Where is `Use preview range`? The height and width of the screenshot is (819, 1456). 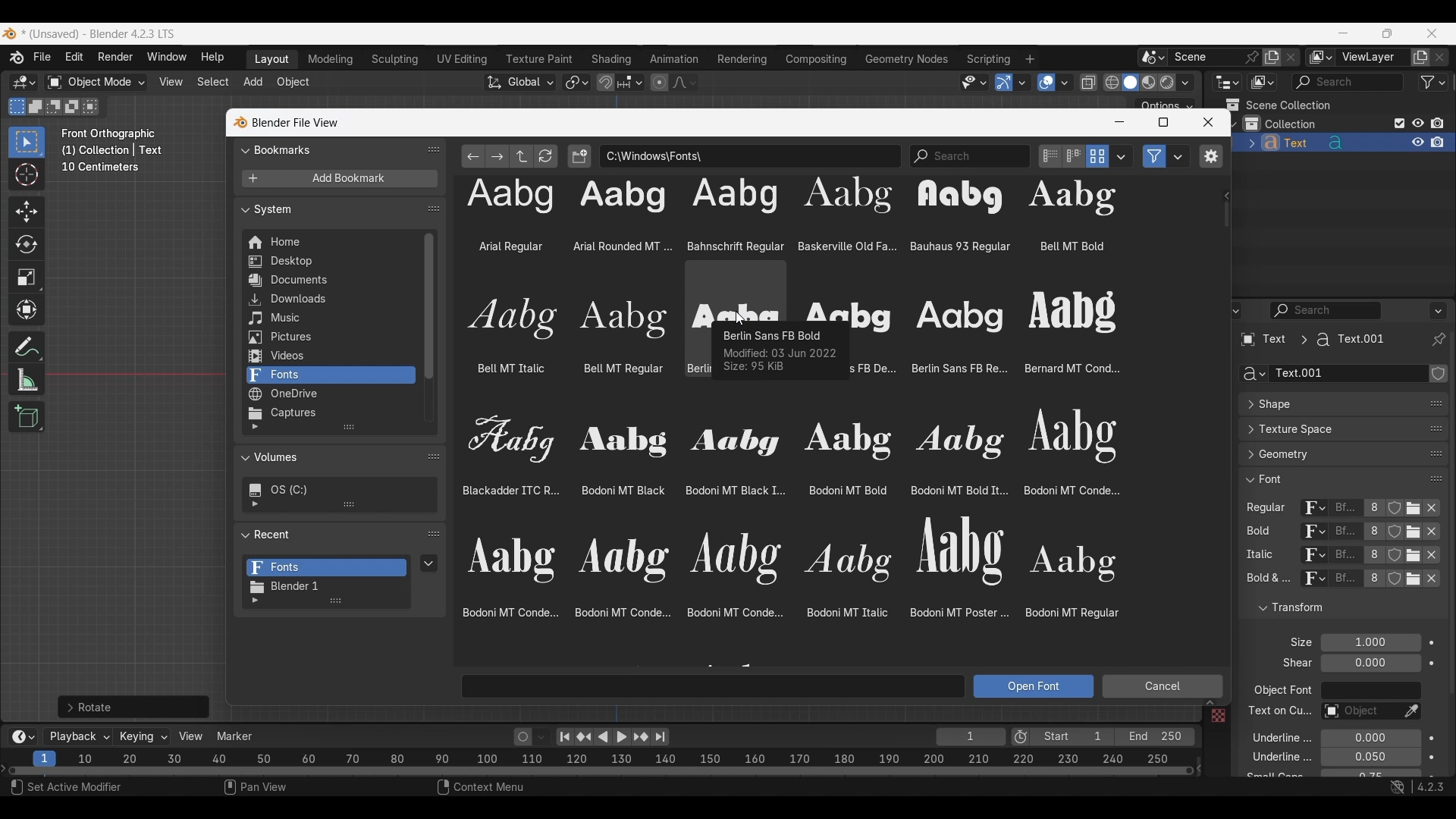
Use preview range is located at coordinates (1021, 737).